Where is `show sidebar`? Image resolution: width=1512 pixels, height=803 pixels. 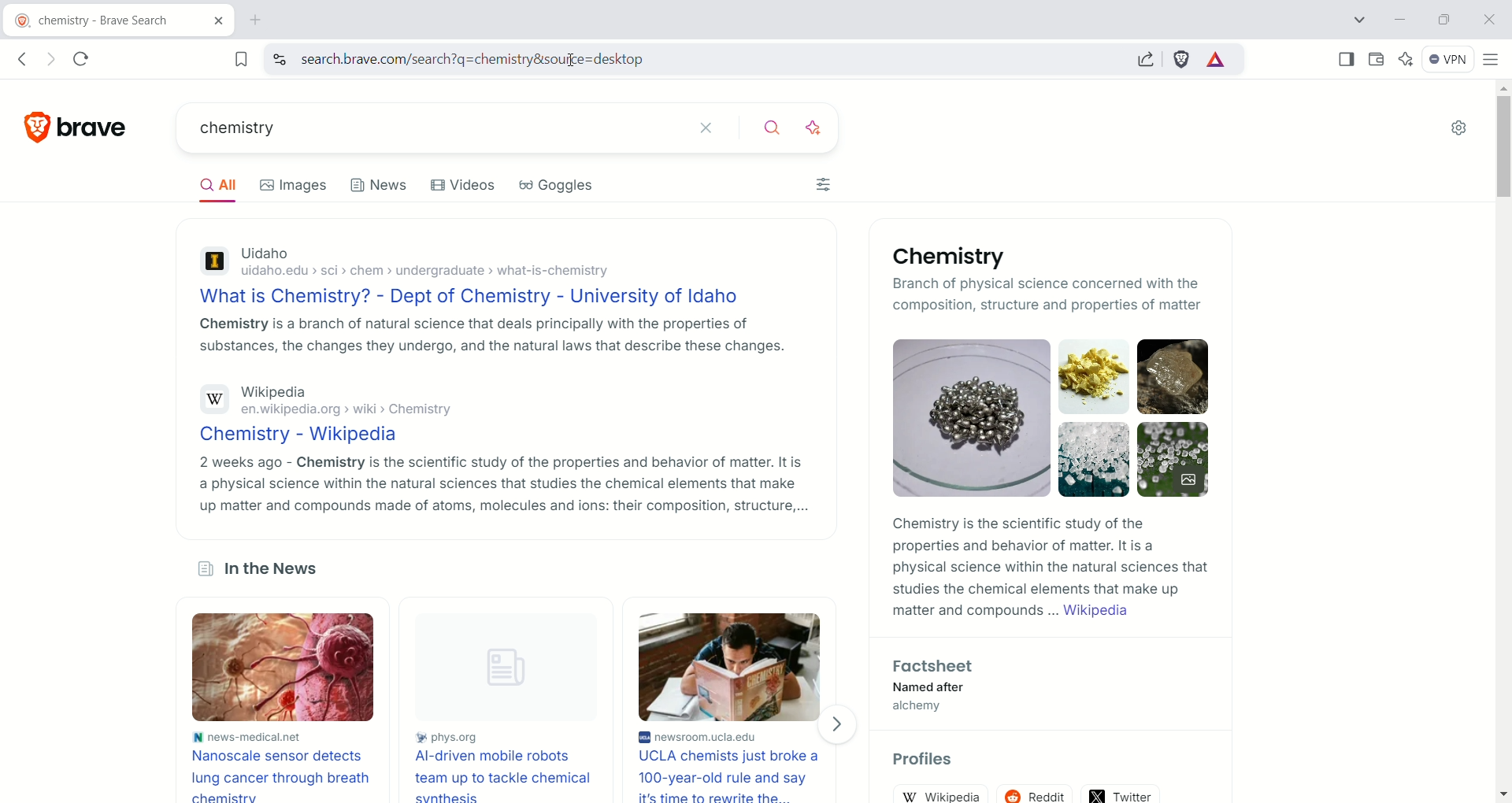
show sidebar is located at coordinates (1347, 61).